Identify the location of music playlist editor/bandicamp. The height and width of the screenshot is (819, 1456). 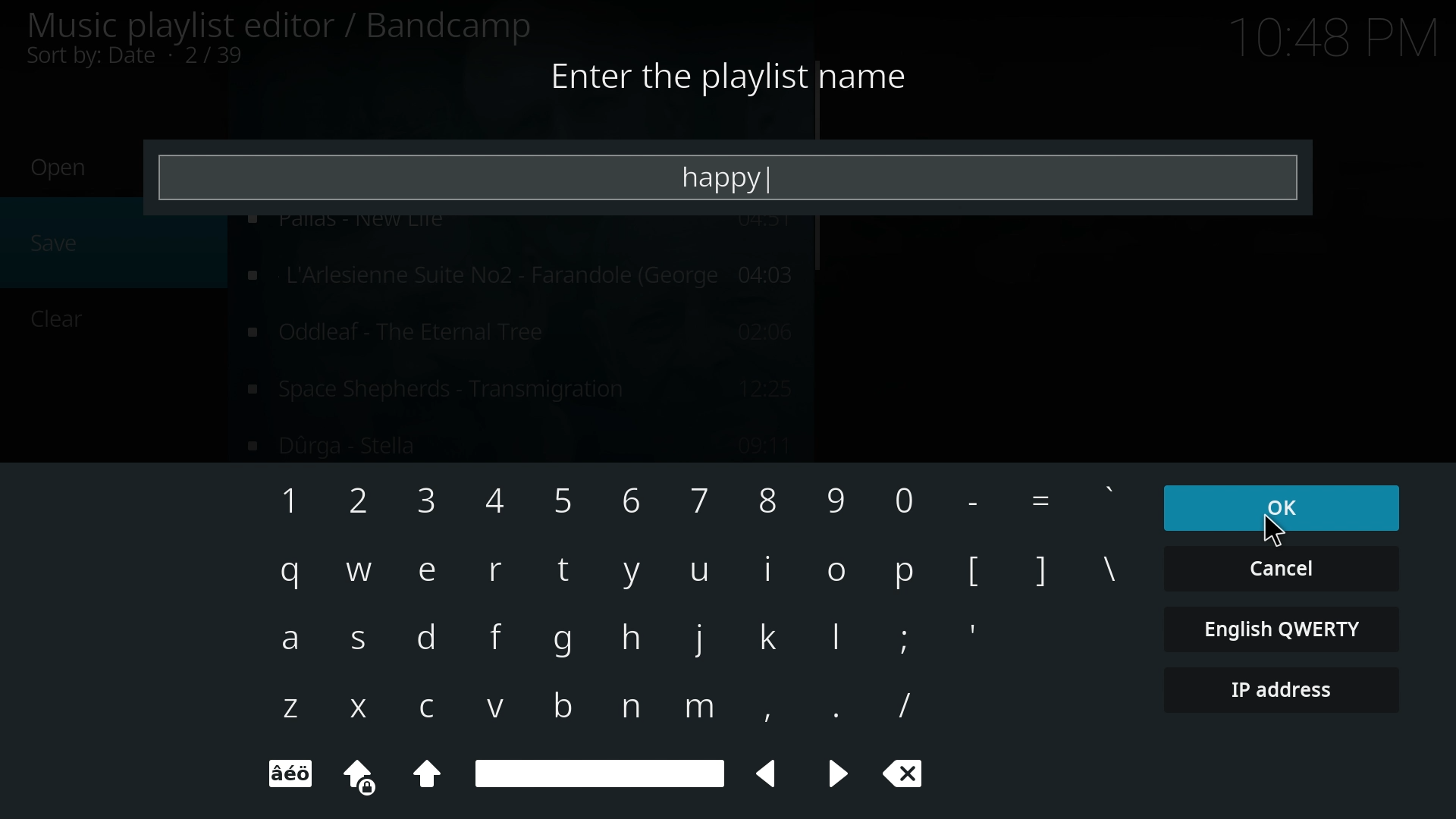
(284, 36).